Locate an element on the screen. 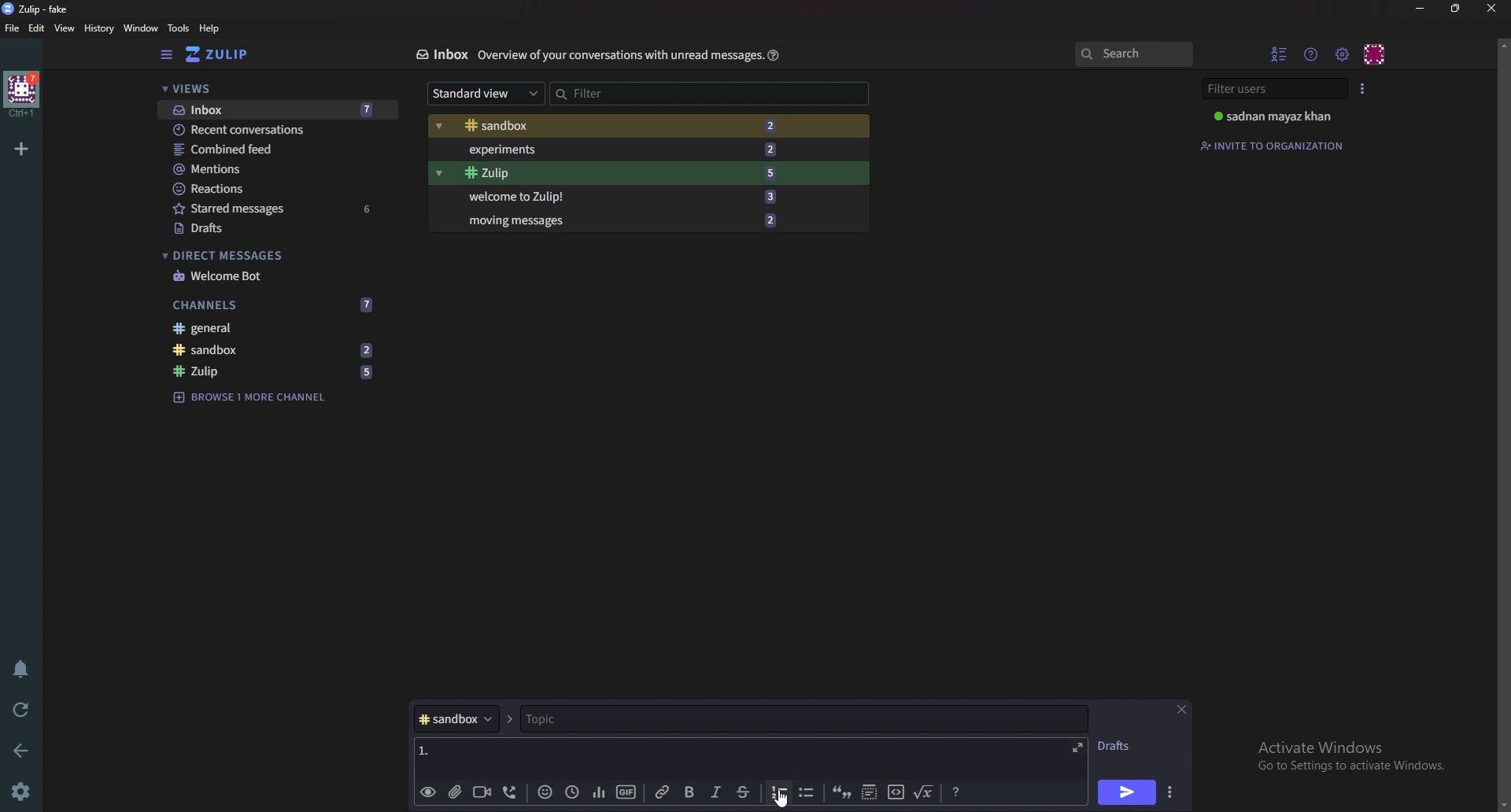 The width and height of the screenshot is (1511, 812). User list style is located at coordinates (1364, 87).